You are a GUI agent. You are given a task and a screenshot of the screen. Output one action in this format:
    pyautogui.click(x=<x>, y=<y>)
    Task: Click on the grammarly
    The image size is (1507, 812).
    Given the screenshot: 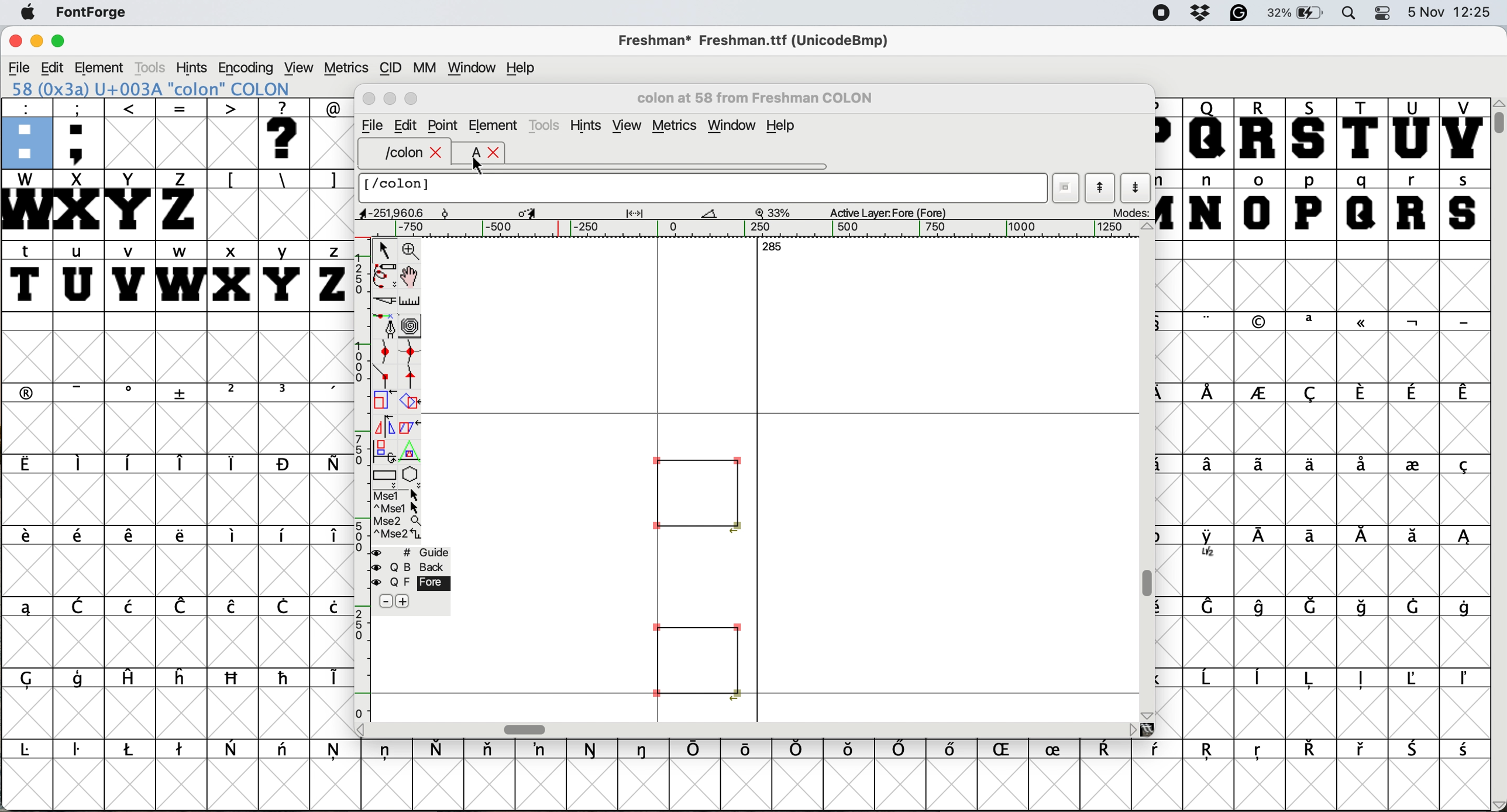 What is the action you would take?
    pyautogui.click(x=1242, y=15)
    